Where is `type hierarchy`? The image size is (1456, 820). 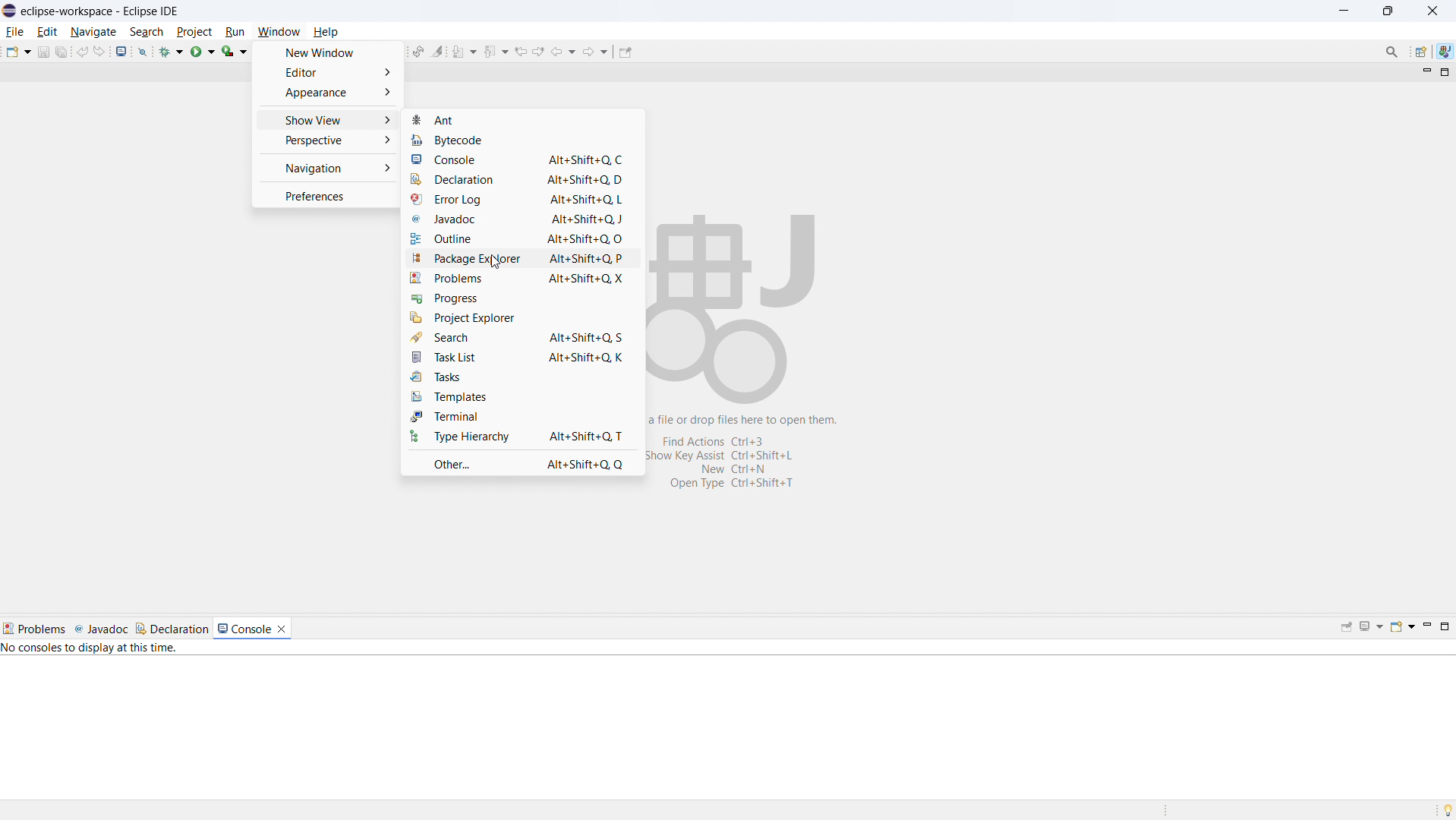 type hierarchy is located at coordinates (522, 436).